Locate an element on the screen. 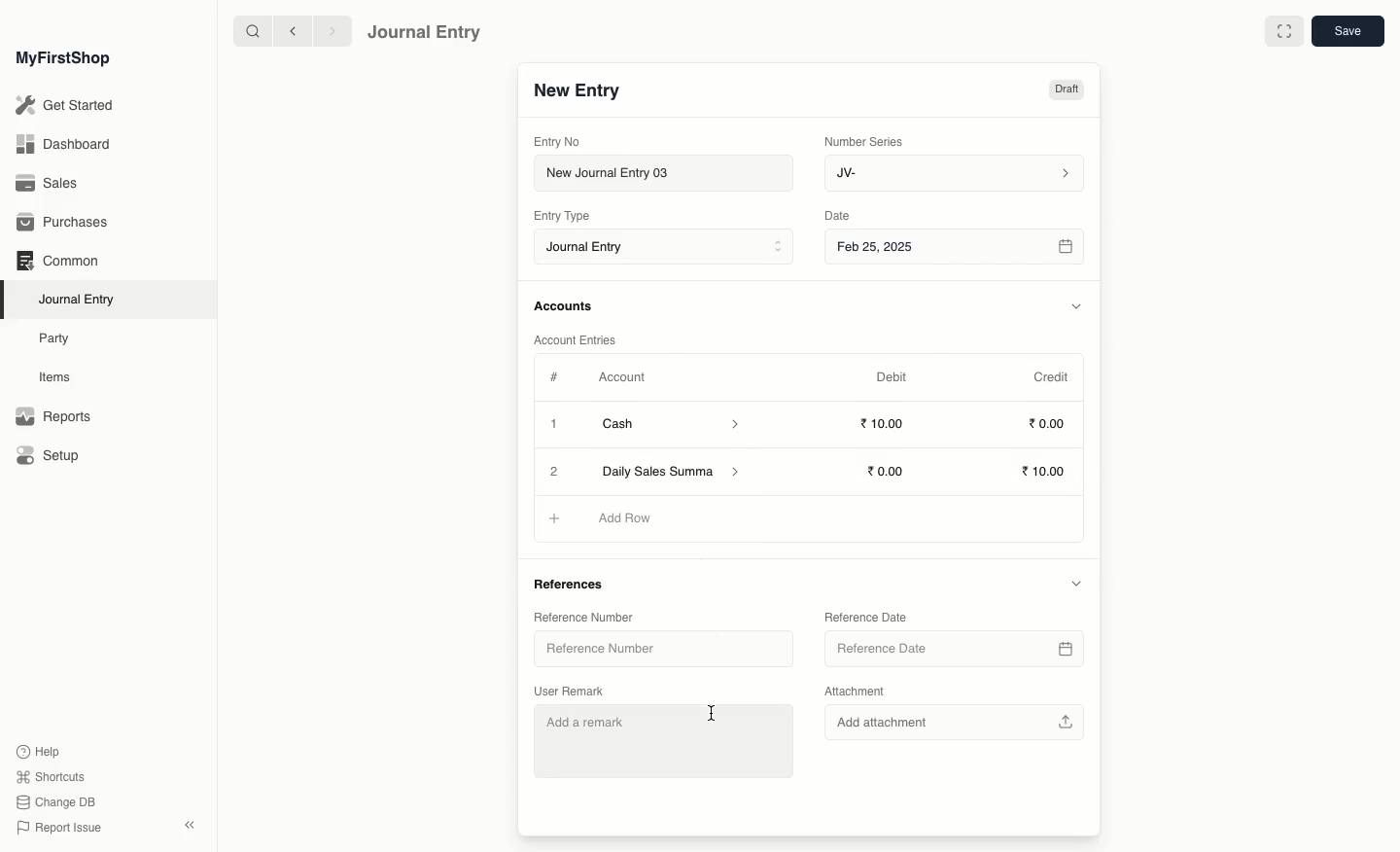  forward > is located at coordinates (328, 30).